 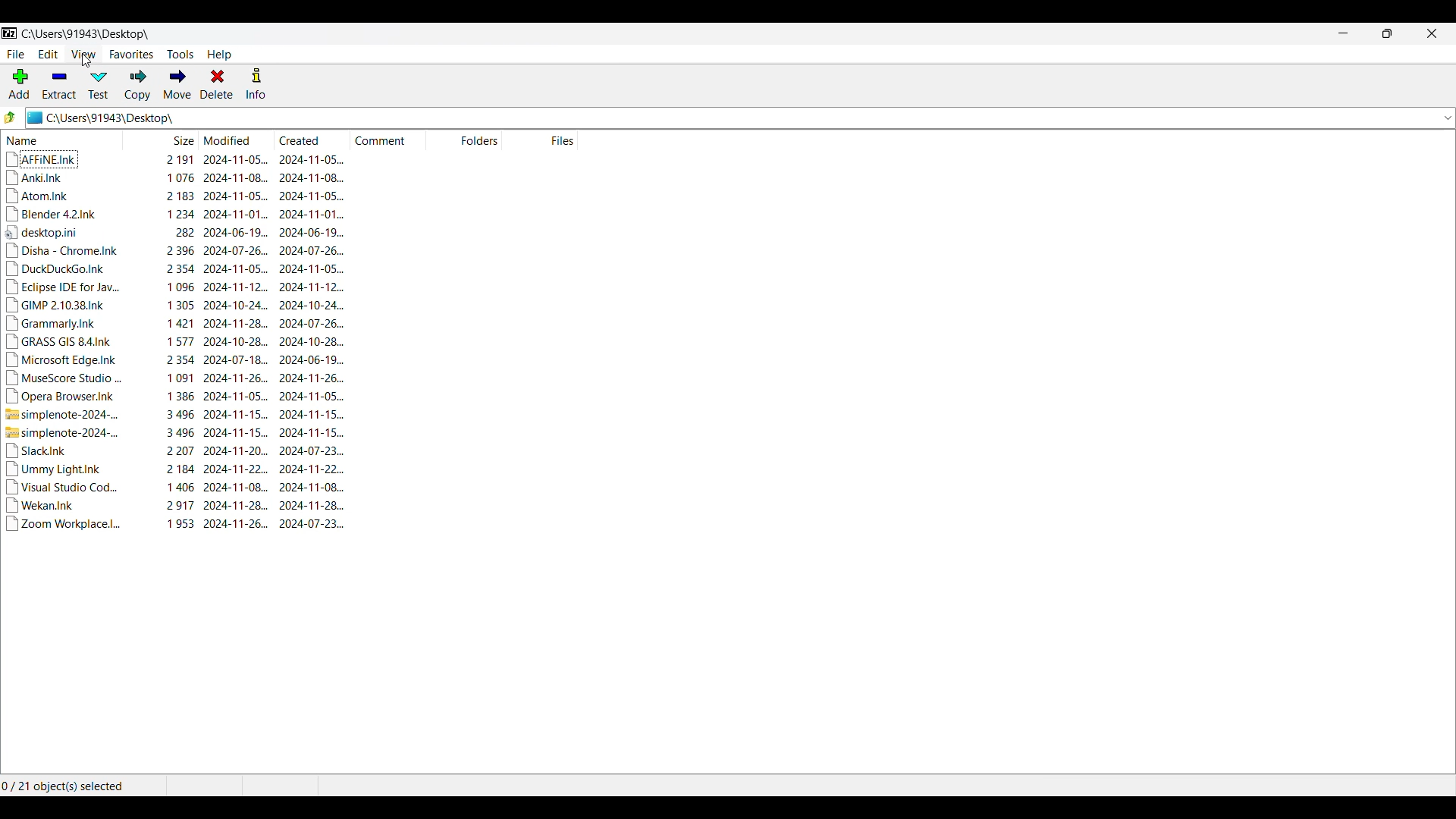 I want to click on Atom.Ink 2183 2024-11-05... 2024-11-05..., so click(x=180, y=196).